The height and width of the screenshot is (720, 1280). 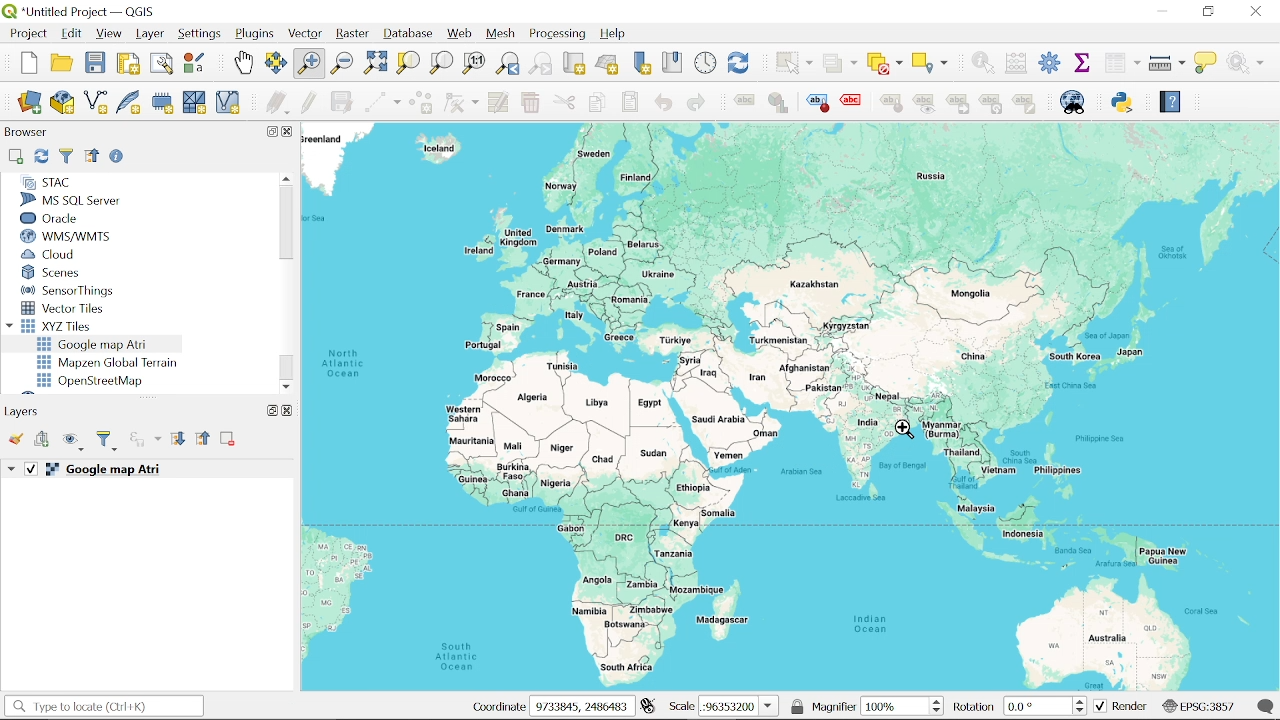 What do you see at coordinates (906, 431) in the screenshot?
I see `Cursor` at bounding box center [906, 431].